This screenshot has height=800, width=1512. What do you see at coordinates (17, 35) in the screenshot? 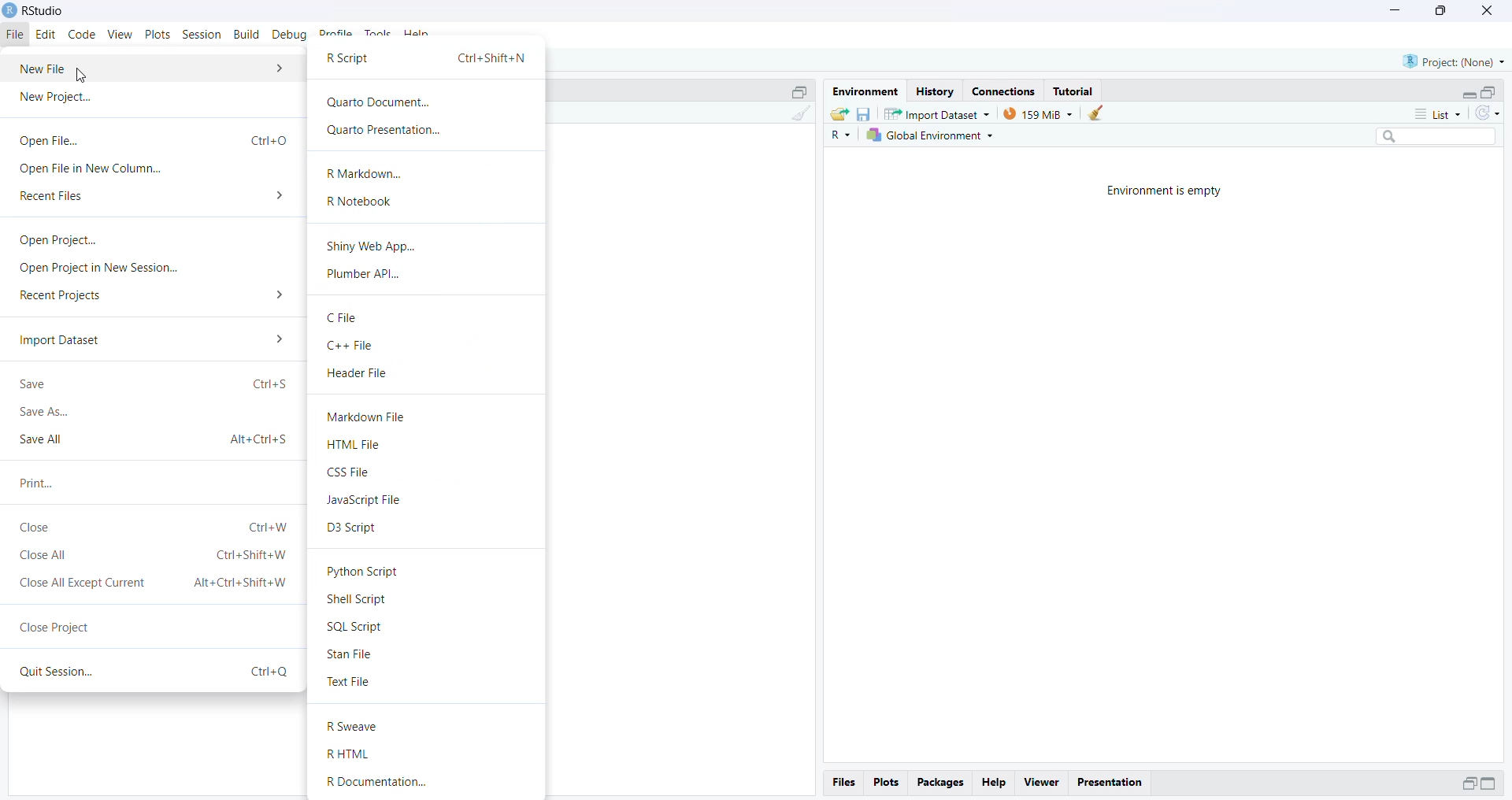
I see `file` at bounding box center [17, 35].